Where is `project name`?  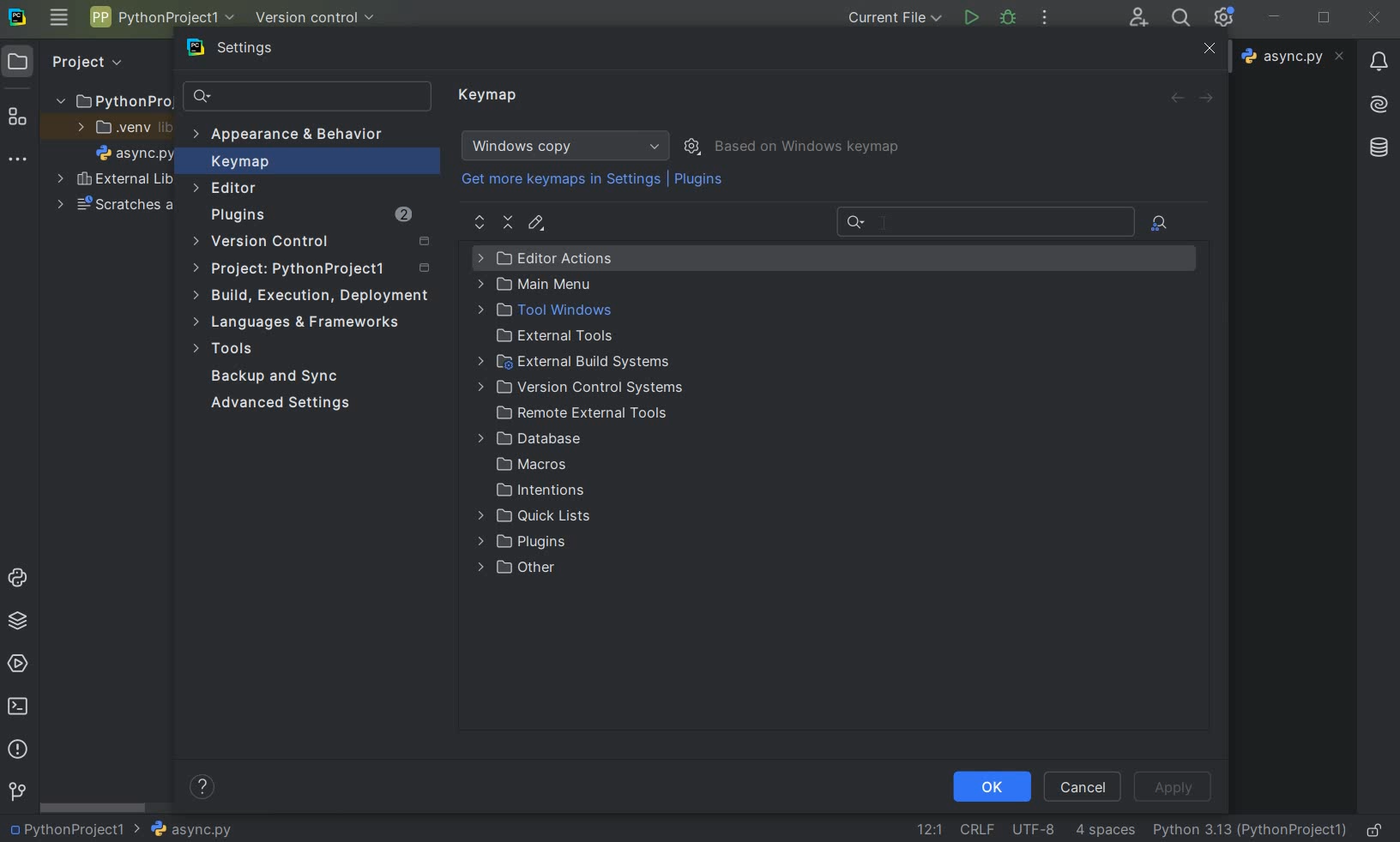 project name is located at coordinates (160, 17).